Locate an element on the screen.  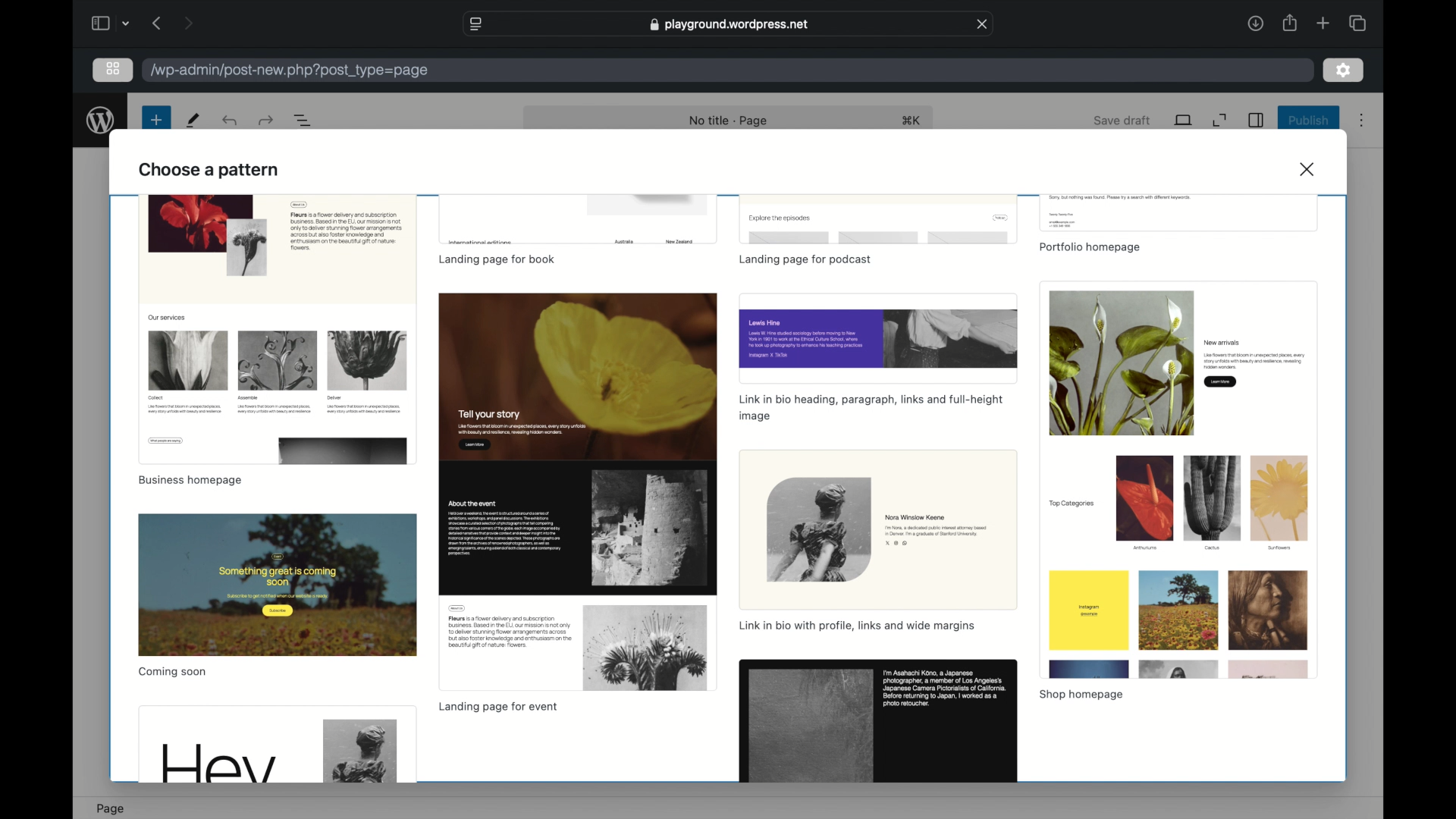
close is located at coordinates (1309, 169).